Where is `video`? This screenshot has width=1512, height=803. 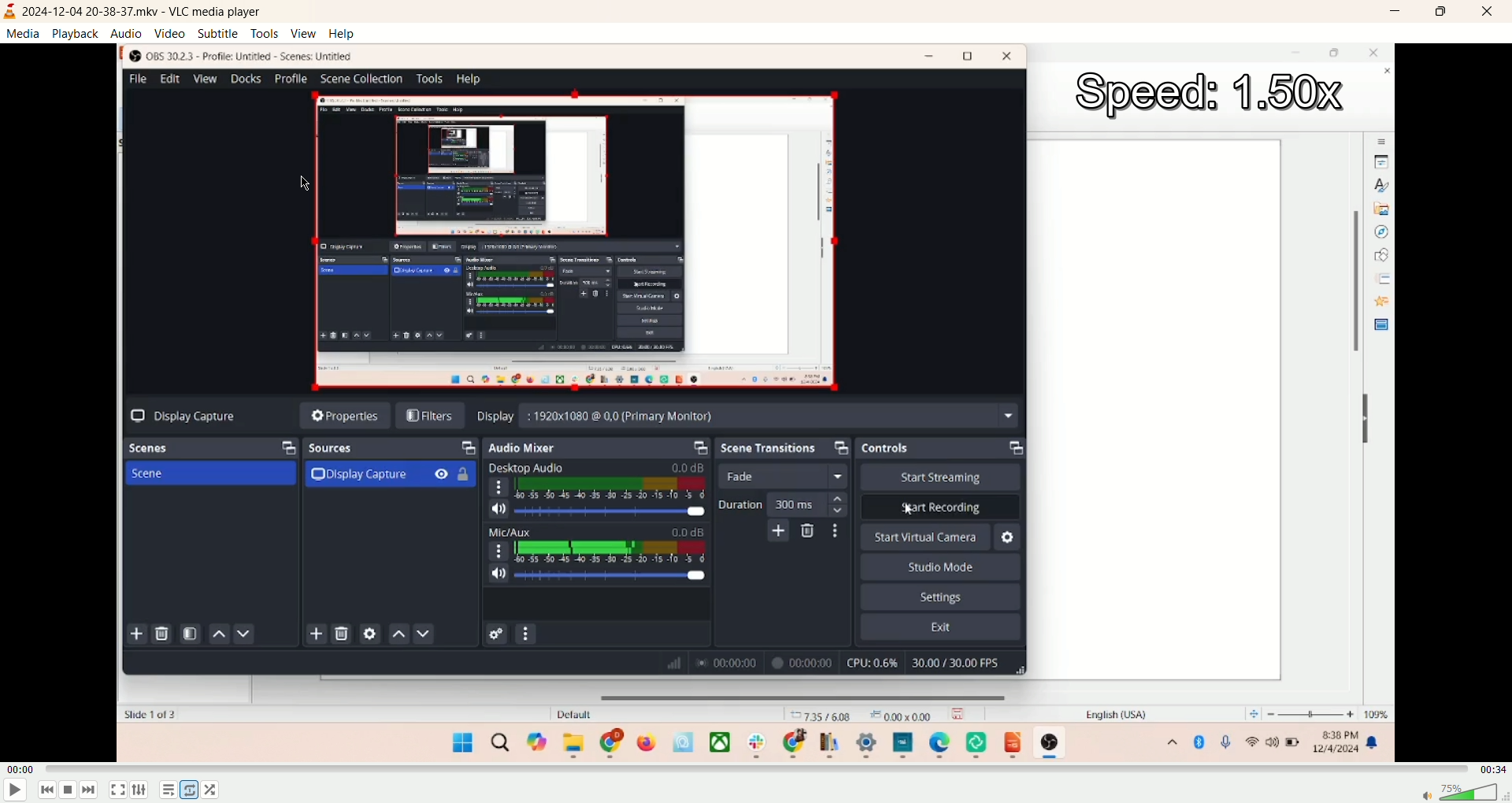 video is located at coordinates (171, 33).